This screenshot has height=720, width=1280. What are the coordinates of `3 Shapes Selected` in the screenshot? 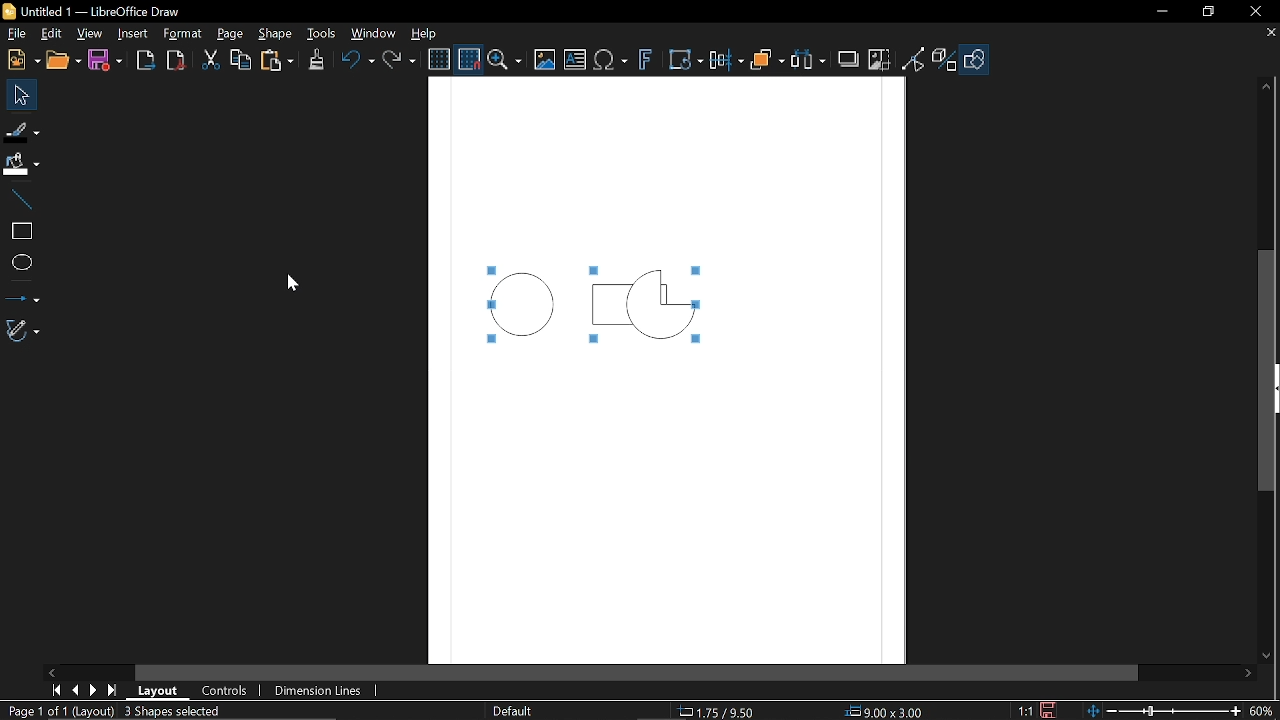 It's located at (199, 711).